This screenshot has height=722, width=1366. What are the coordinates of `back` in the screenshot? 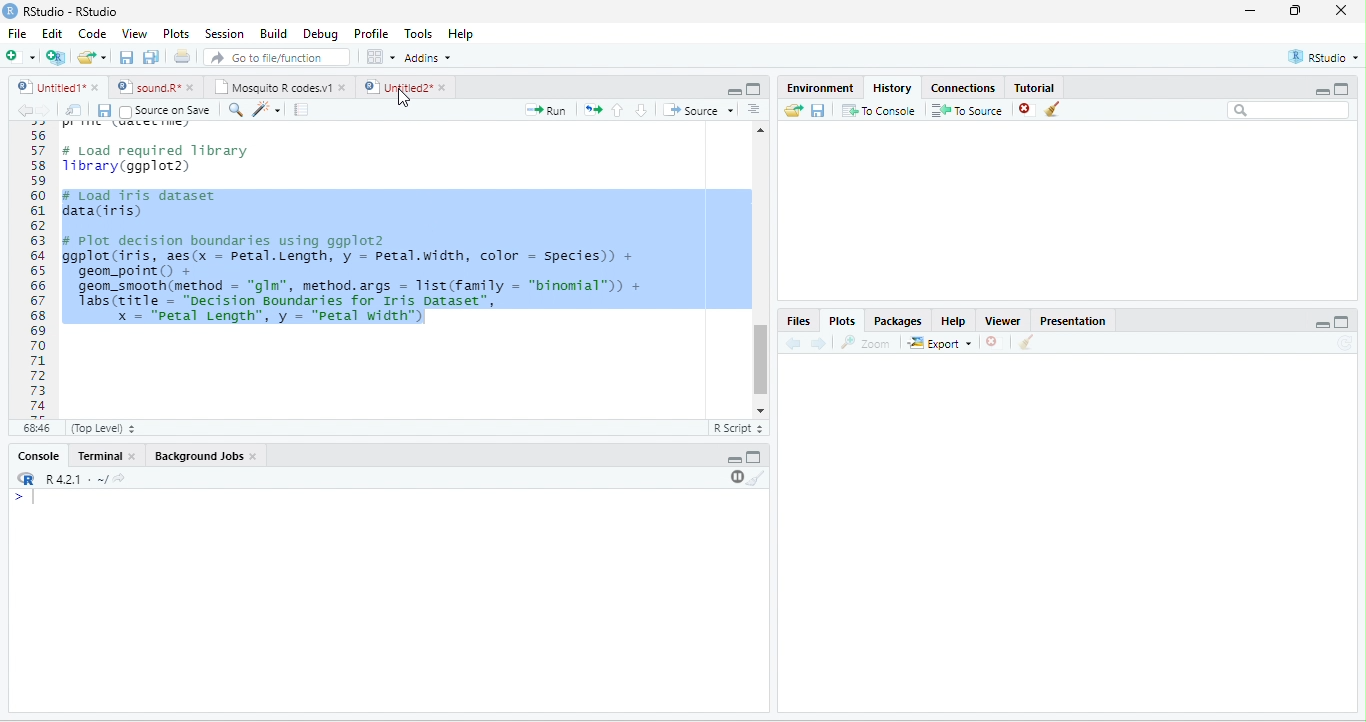 It's located at (792, 344).